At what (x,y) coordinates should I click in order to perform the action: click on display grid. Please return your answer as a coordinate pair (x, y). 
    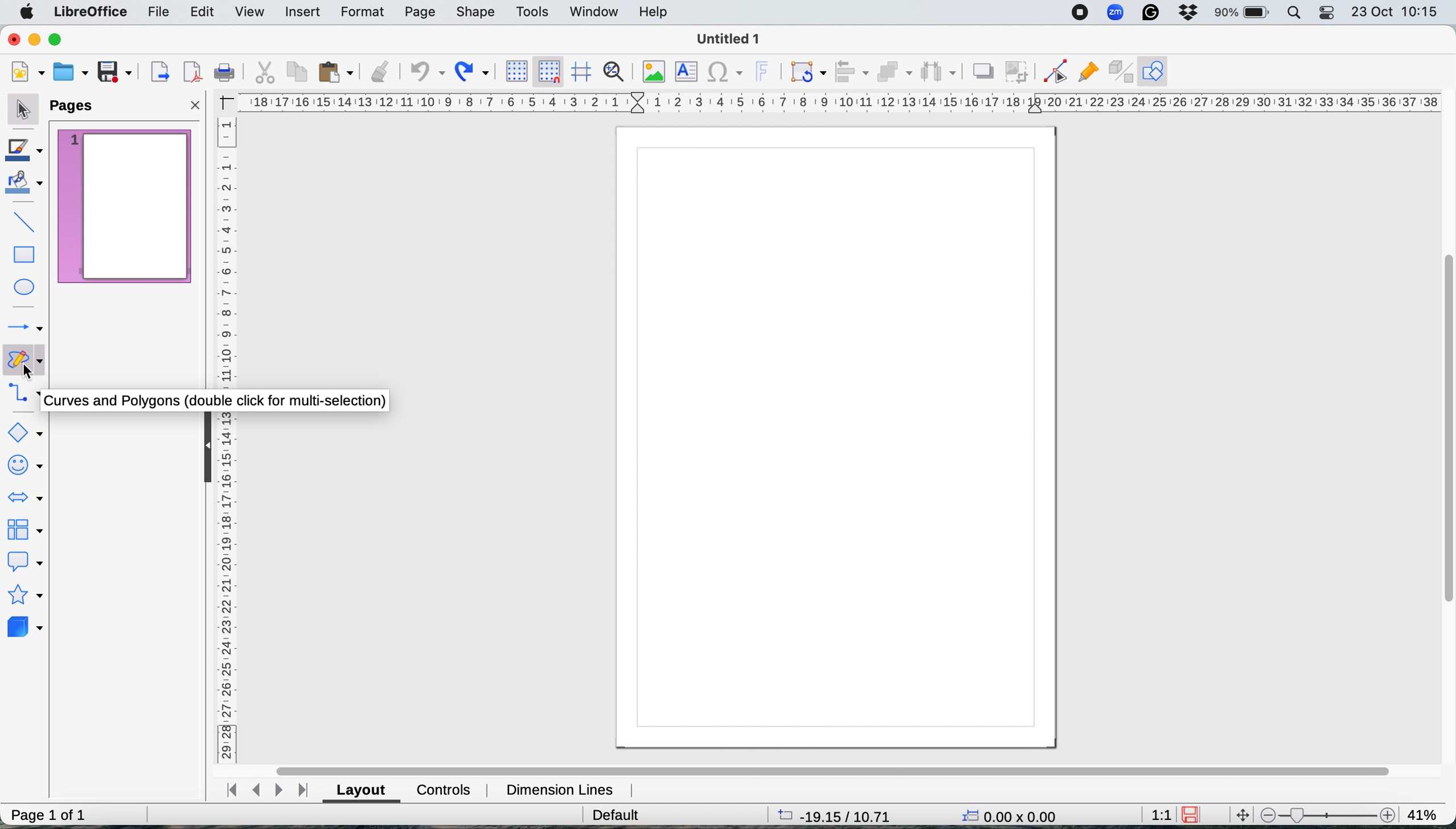
    Looking at the image, I should click on (520, 71).